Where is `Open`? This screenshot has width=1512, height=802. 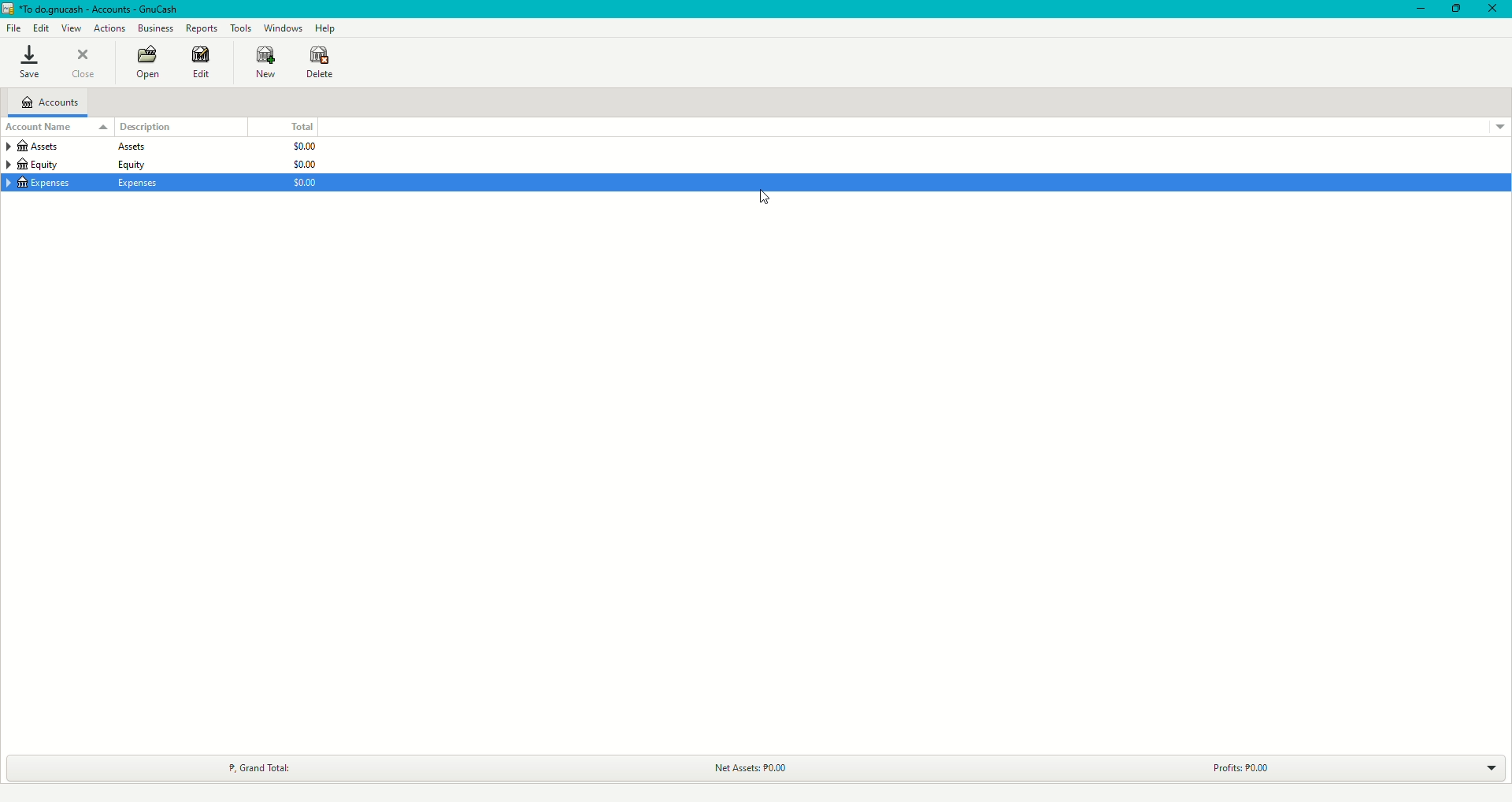 Open is located at coordinates (149, 61).